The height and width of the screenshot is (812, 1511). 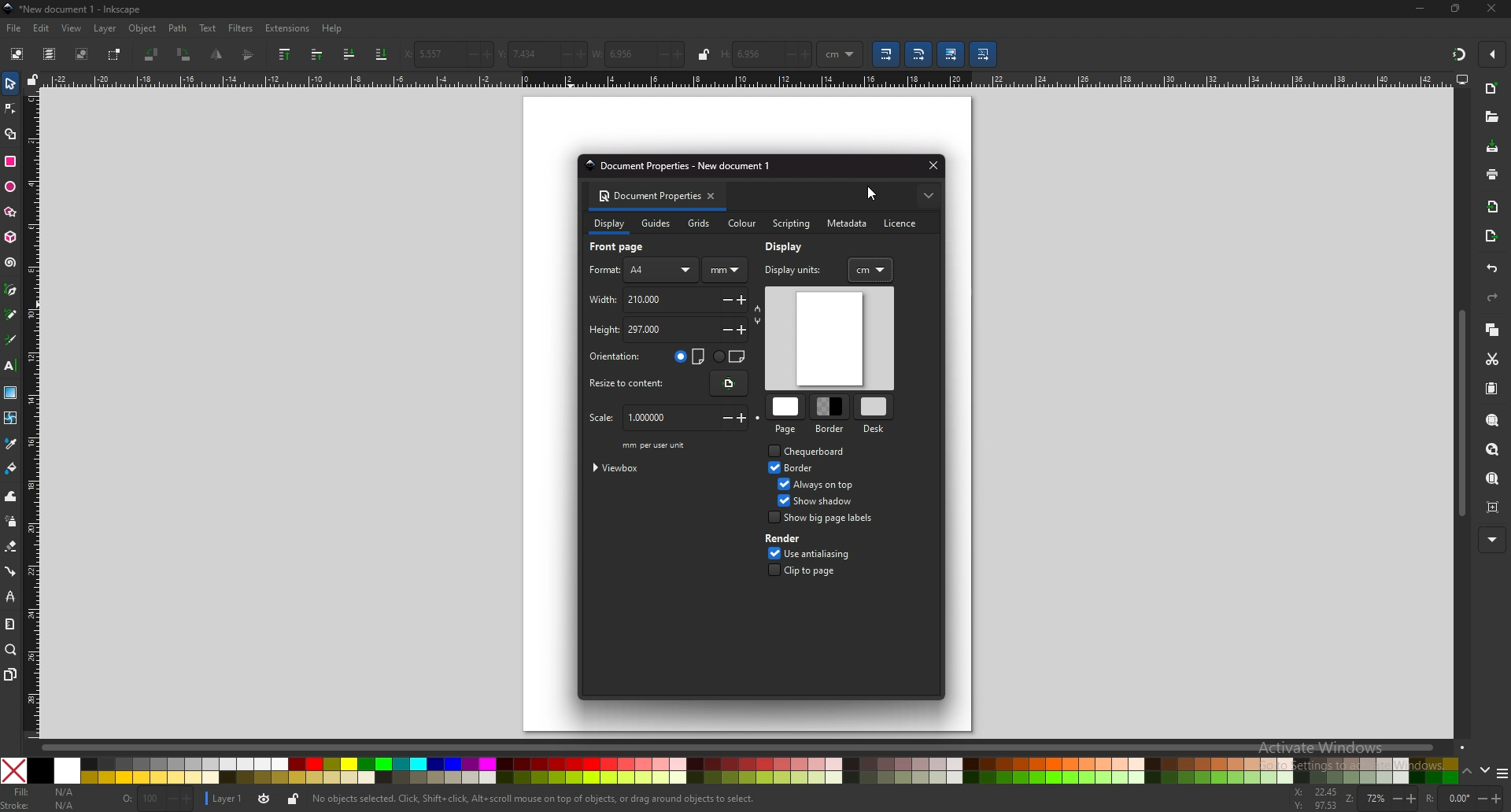 What do you see at coordinates (1500, 798) in the screenshot?
I see `+` at bounding box center [1500, 798].